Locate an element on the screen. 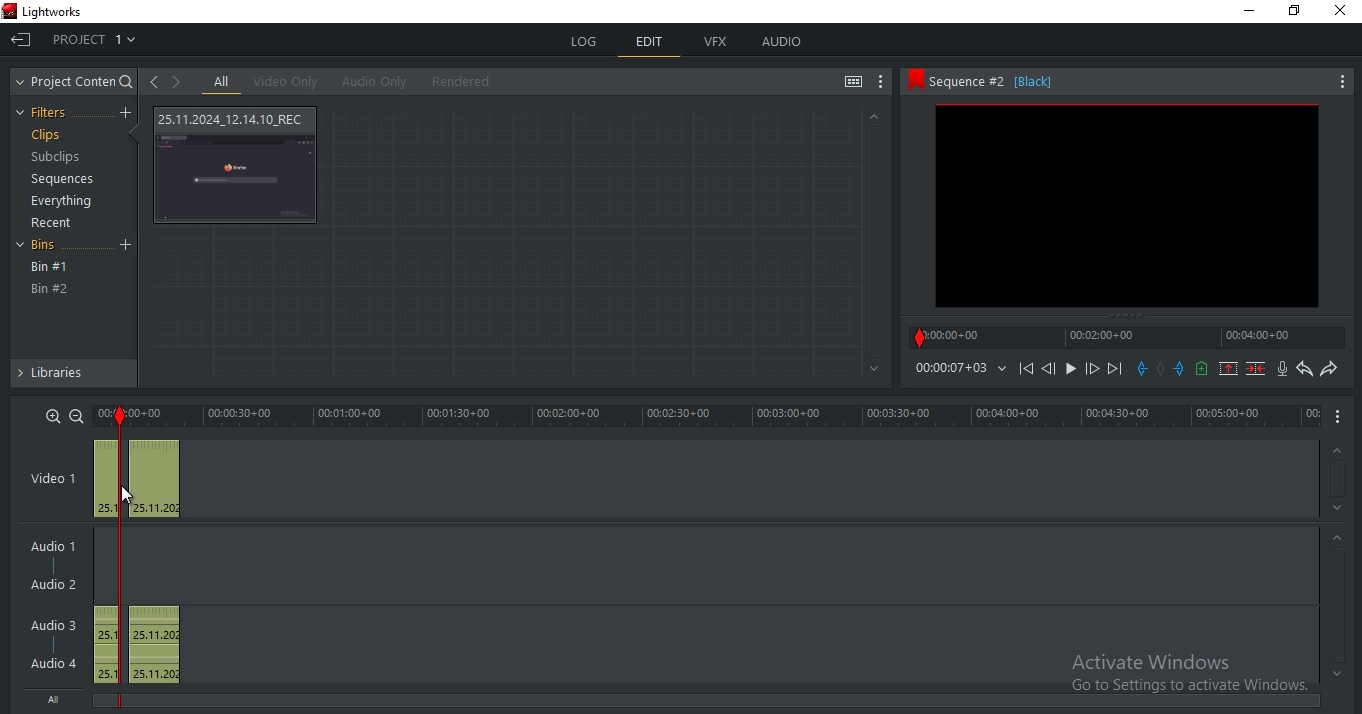  zoom in is located at coordinates (54, 415).